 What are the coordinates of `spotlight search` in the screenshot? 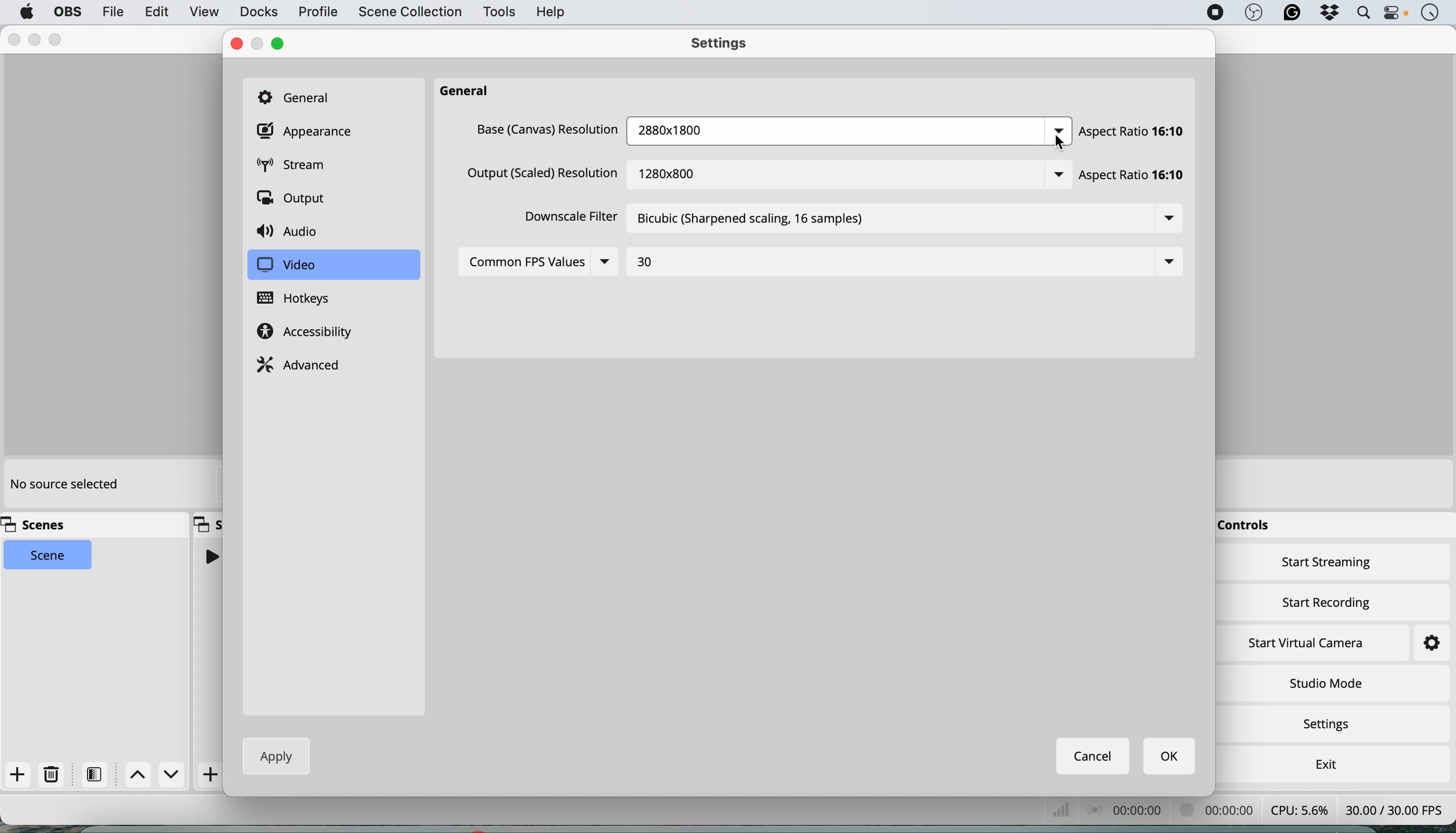 It's located at (1362, 13).